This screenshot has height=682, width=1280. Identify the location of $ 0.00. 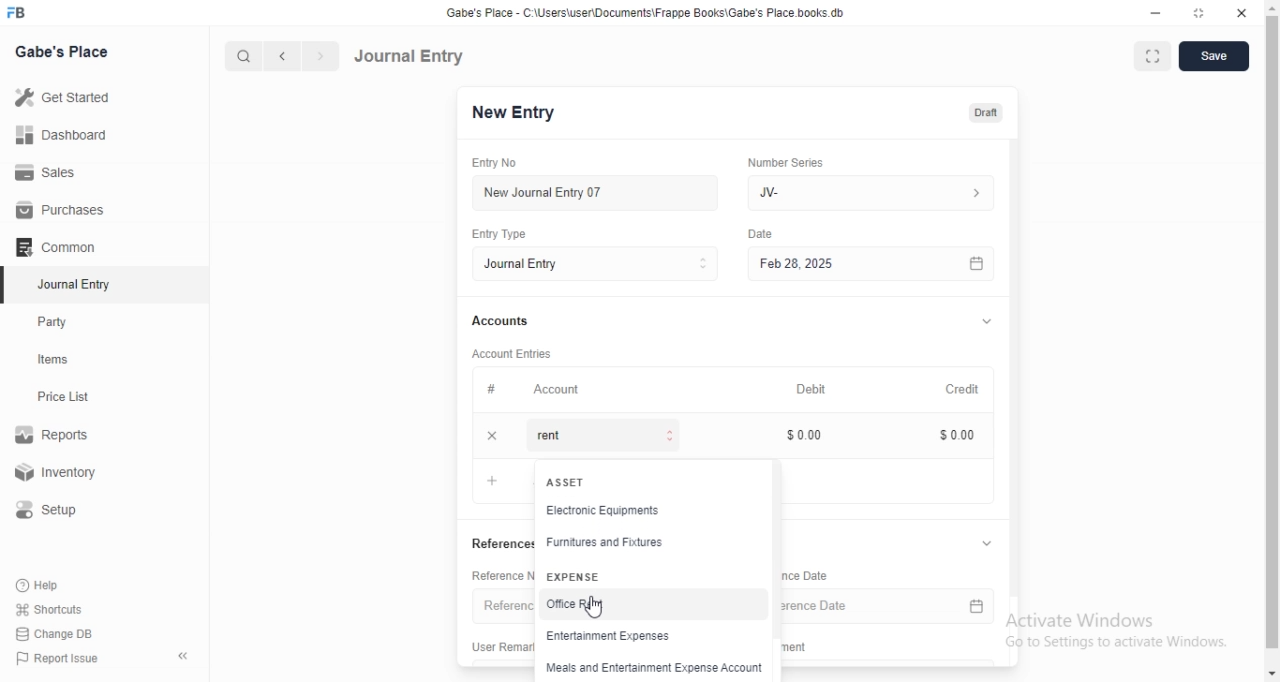
(960, 436).